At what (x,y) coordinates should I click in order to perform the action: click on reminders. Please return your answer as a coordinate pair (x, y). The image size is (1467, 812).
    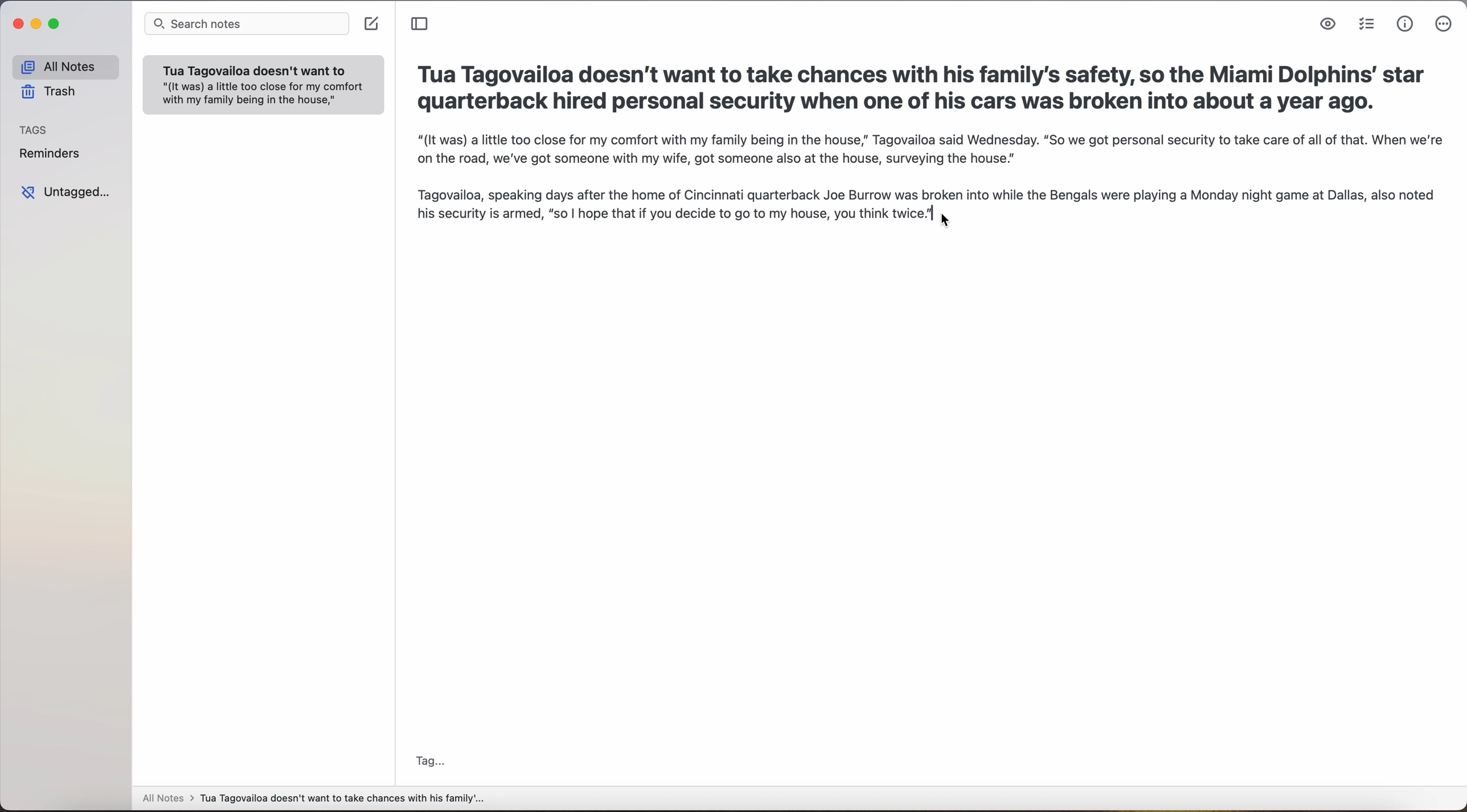
    Looking at the image, I should click on (52, 154).